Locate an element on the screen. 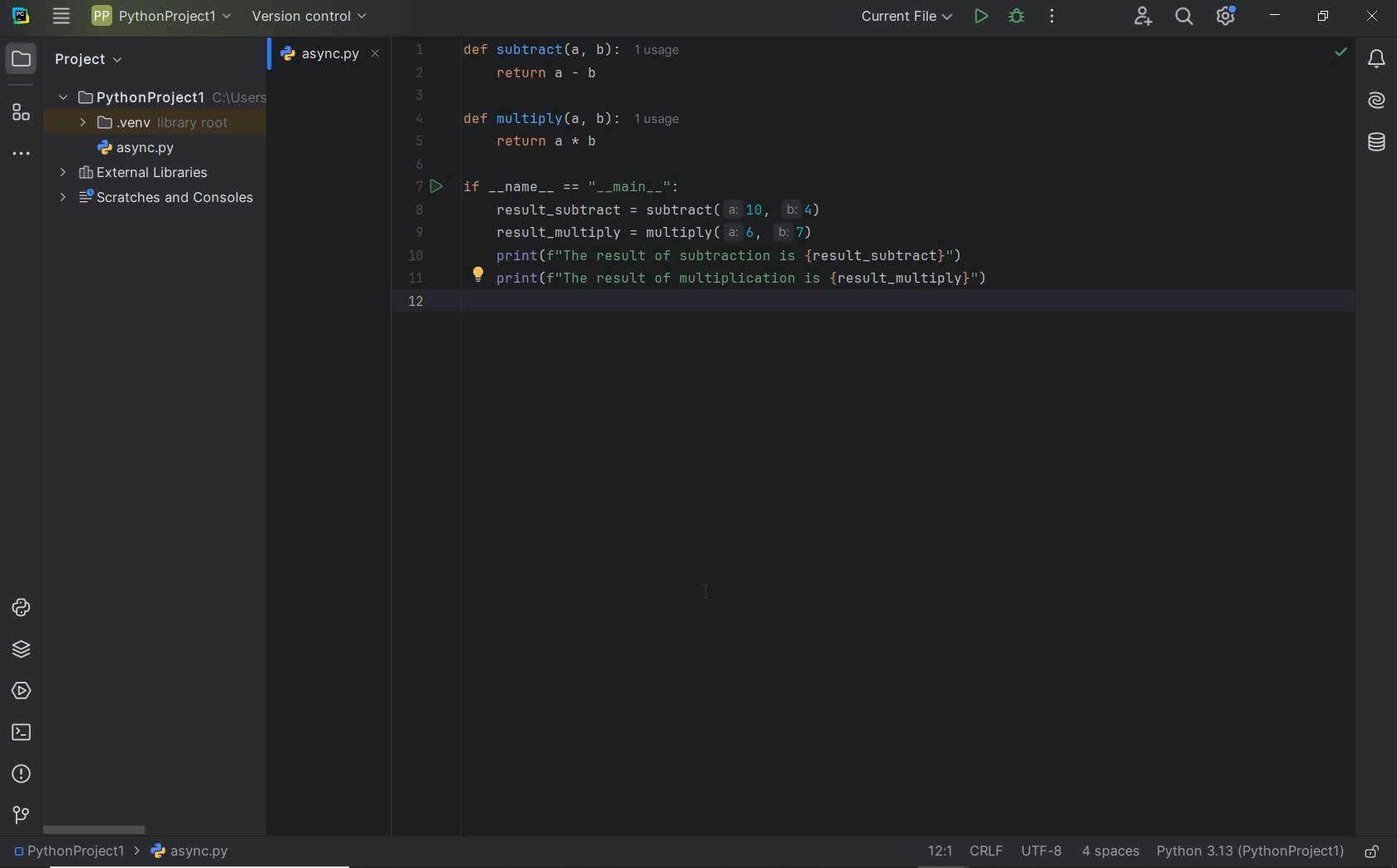 The height and width of the screenshot is (868, 1397). problems is located at coordinates (21, 775).